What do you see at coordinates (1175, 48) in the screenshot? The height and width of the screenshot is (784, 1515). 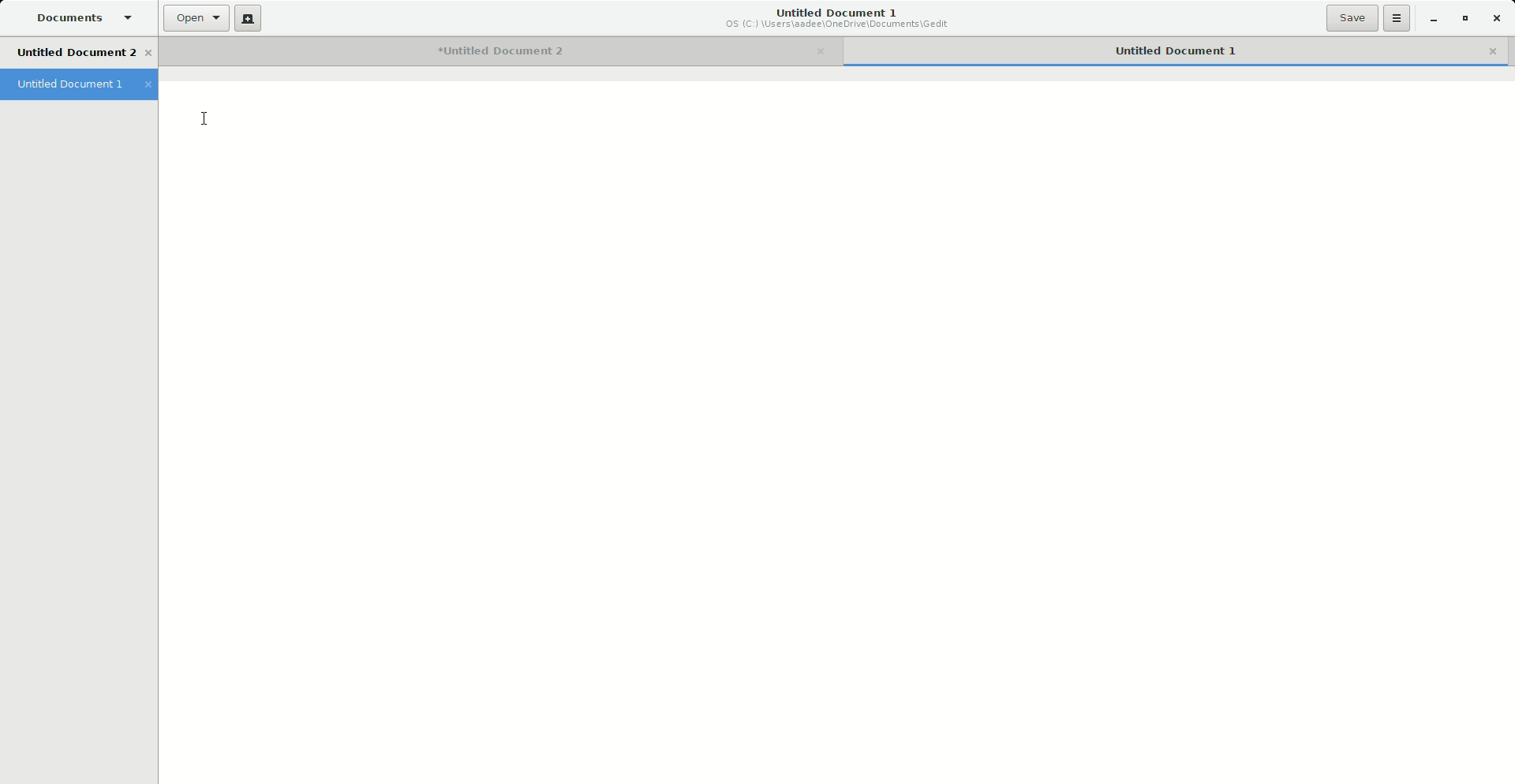 I see `Untitled Document 1` at bounding box center [1175, 48].